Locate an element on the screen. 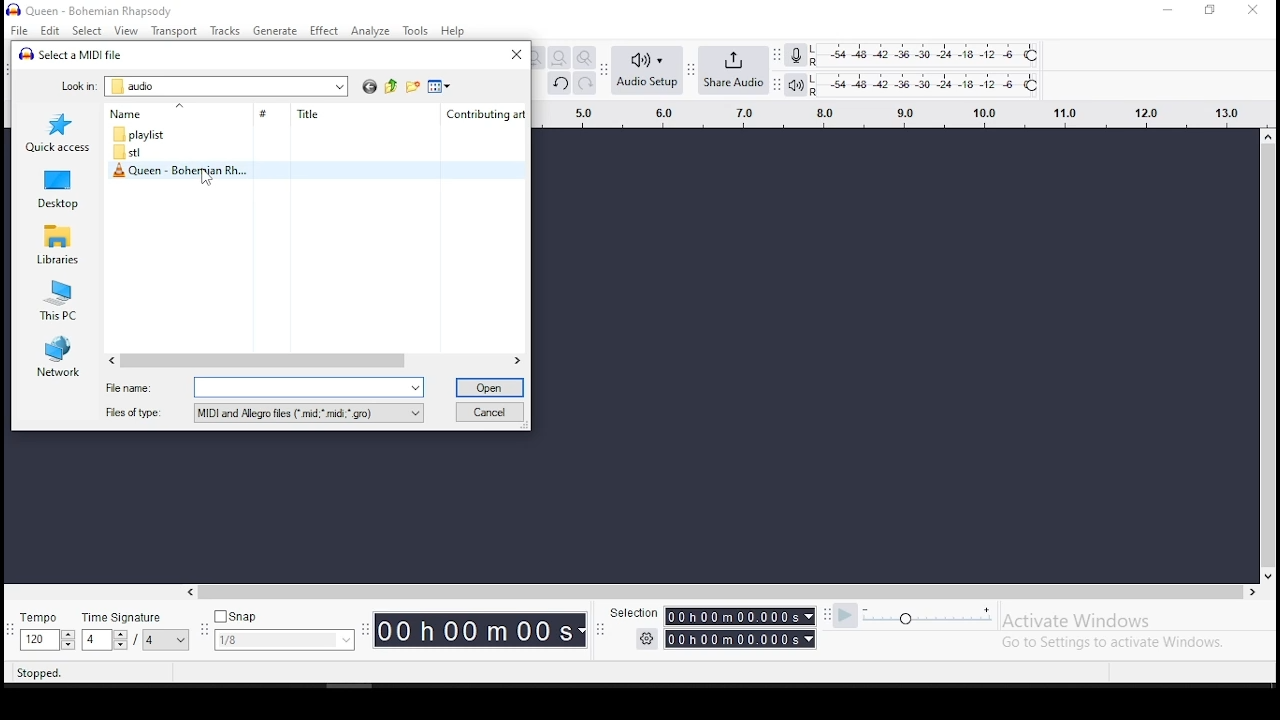 This screenshot has height=720, width=1280. file is located at coordinates (19, 30).